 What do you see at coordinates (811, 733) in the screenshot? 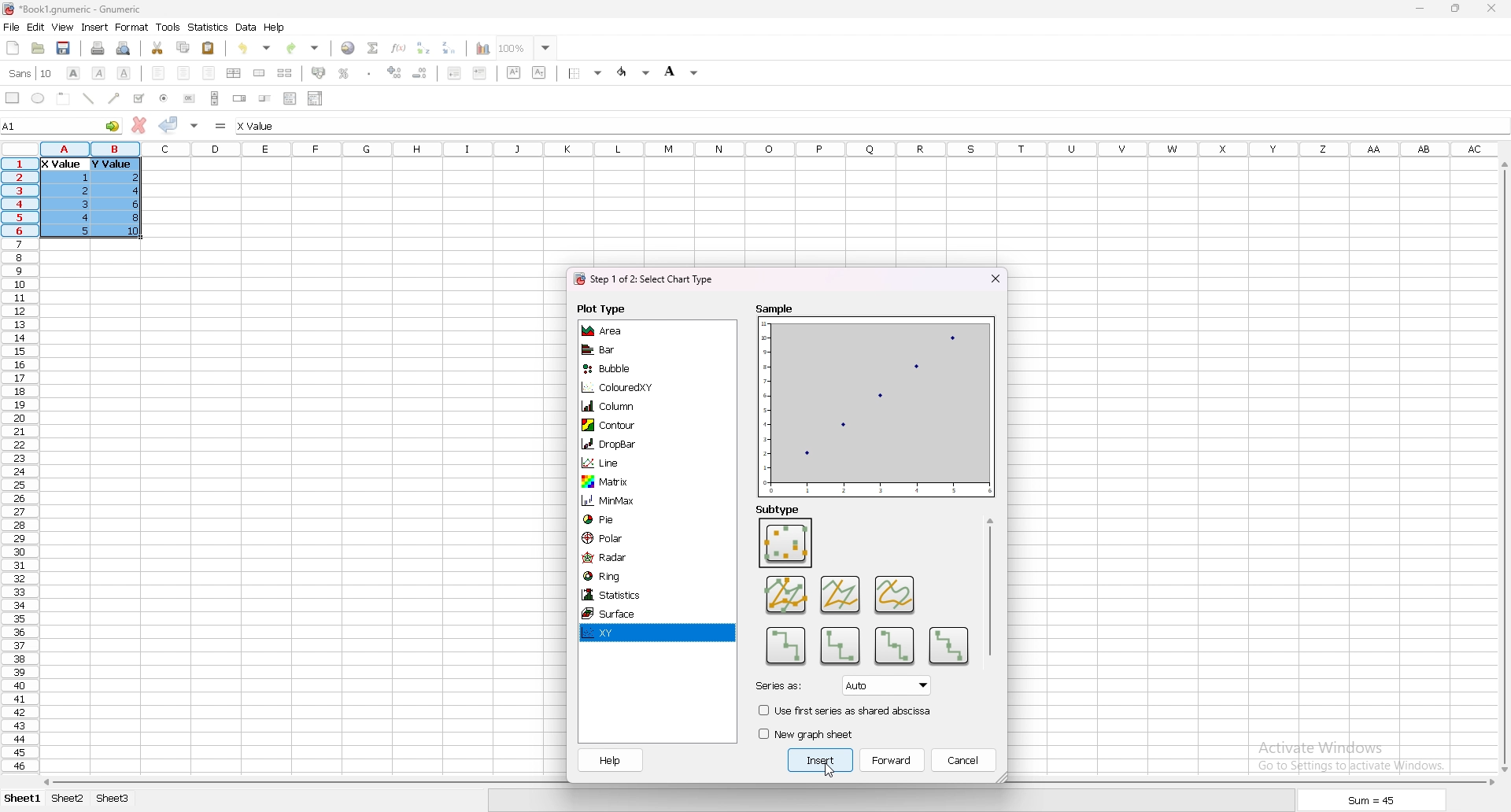
I see `new graph sheet` at bounding box center [811, 733].